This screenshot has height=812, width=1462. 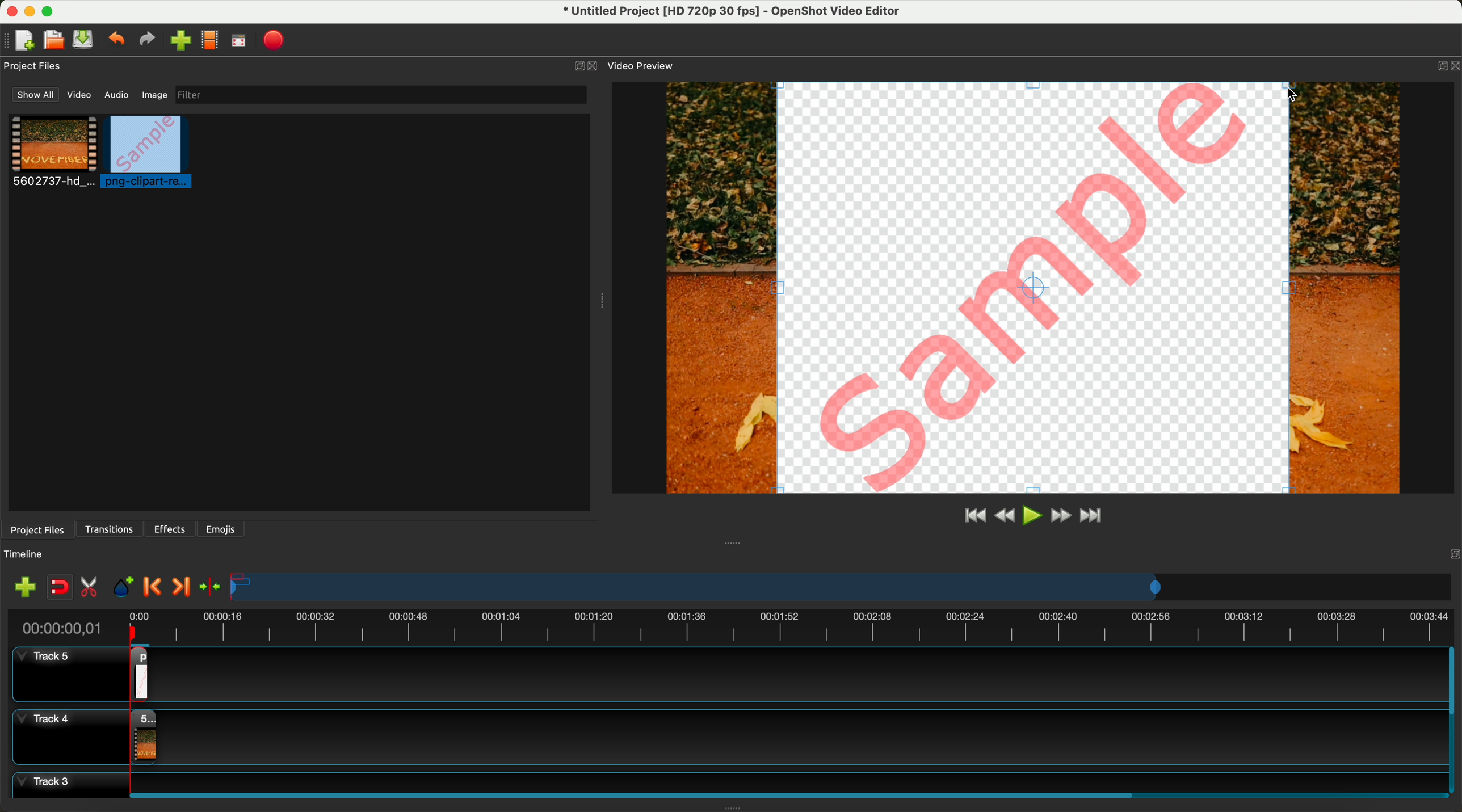 What do you see at coordinates (240, 43) in the screenshot?
I see `full screen` at bounding box center [240, 43].